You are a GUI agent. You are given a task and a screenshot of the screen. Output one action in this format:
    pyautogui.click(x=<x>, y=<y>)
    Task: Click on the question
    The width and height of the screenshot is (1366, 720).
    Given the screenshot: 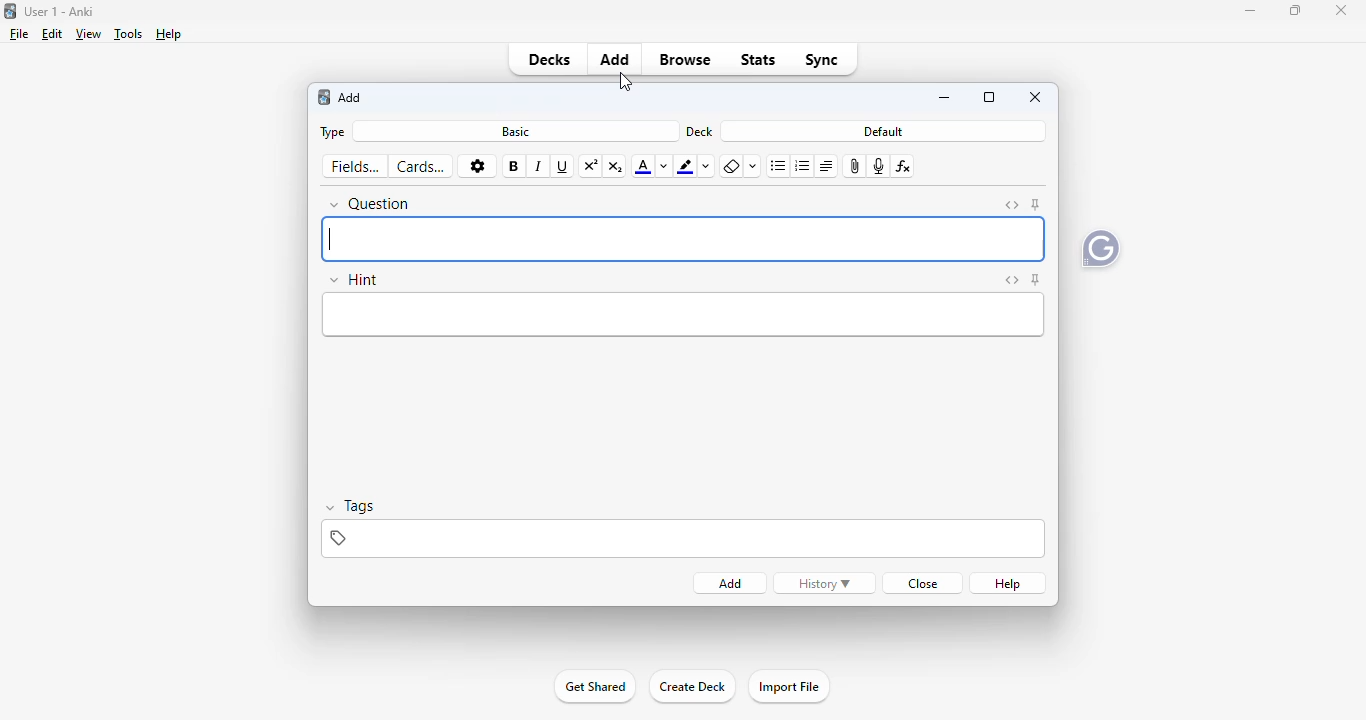 What is the action you would take?
    pyautogui.click(x=370, y=204)
    